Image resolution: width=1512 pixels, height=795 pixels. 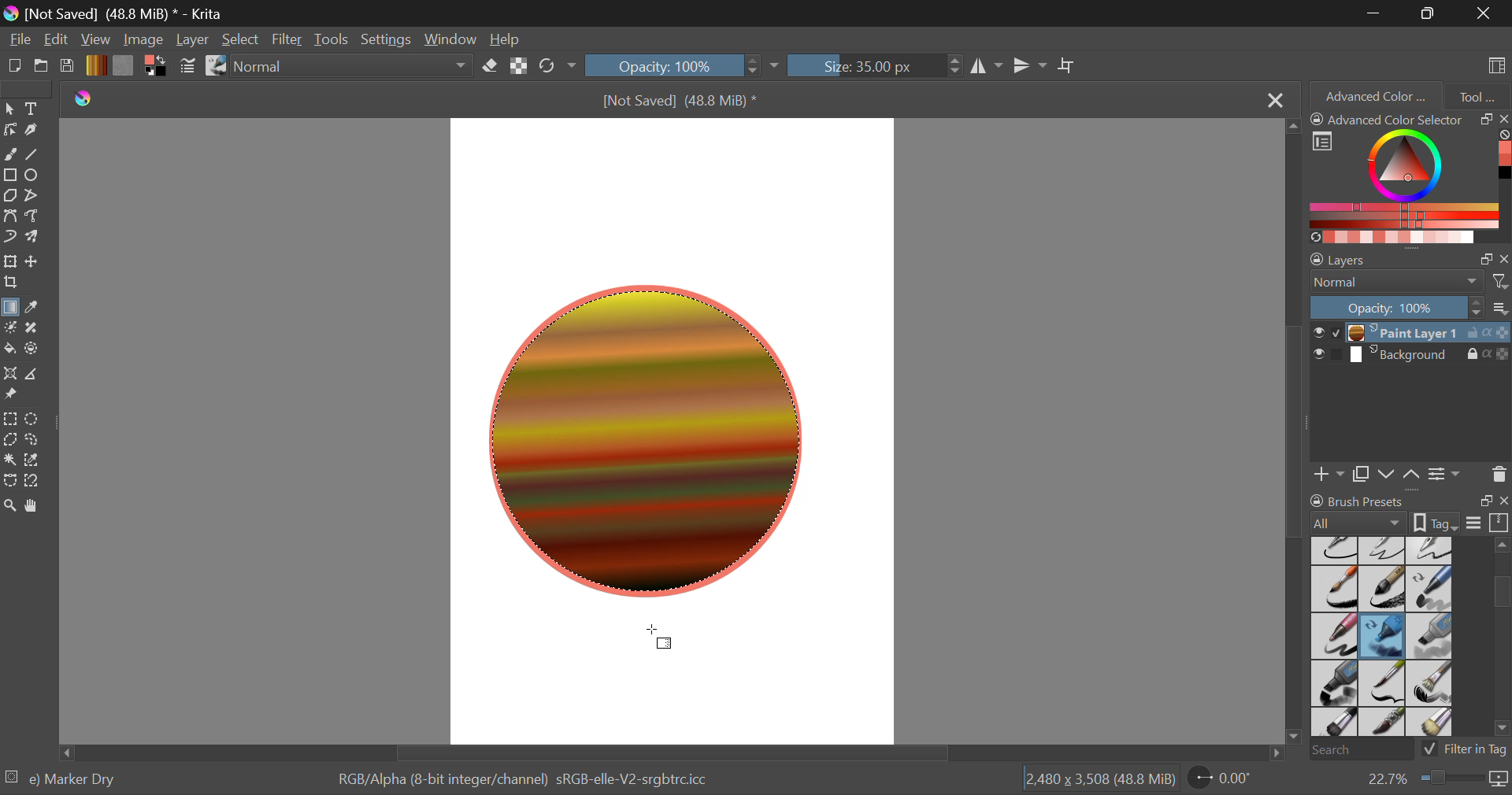 What do you see at coordinates (1364, 471) in the screenshot?
I see `Copy` at bounding box center [1364, 471].